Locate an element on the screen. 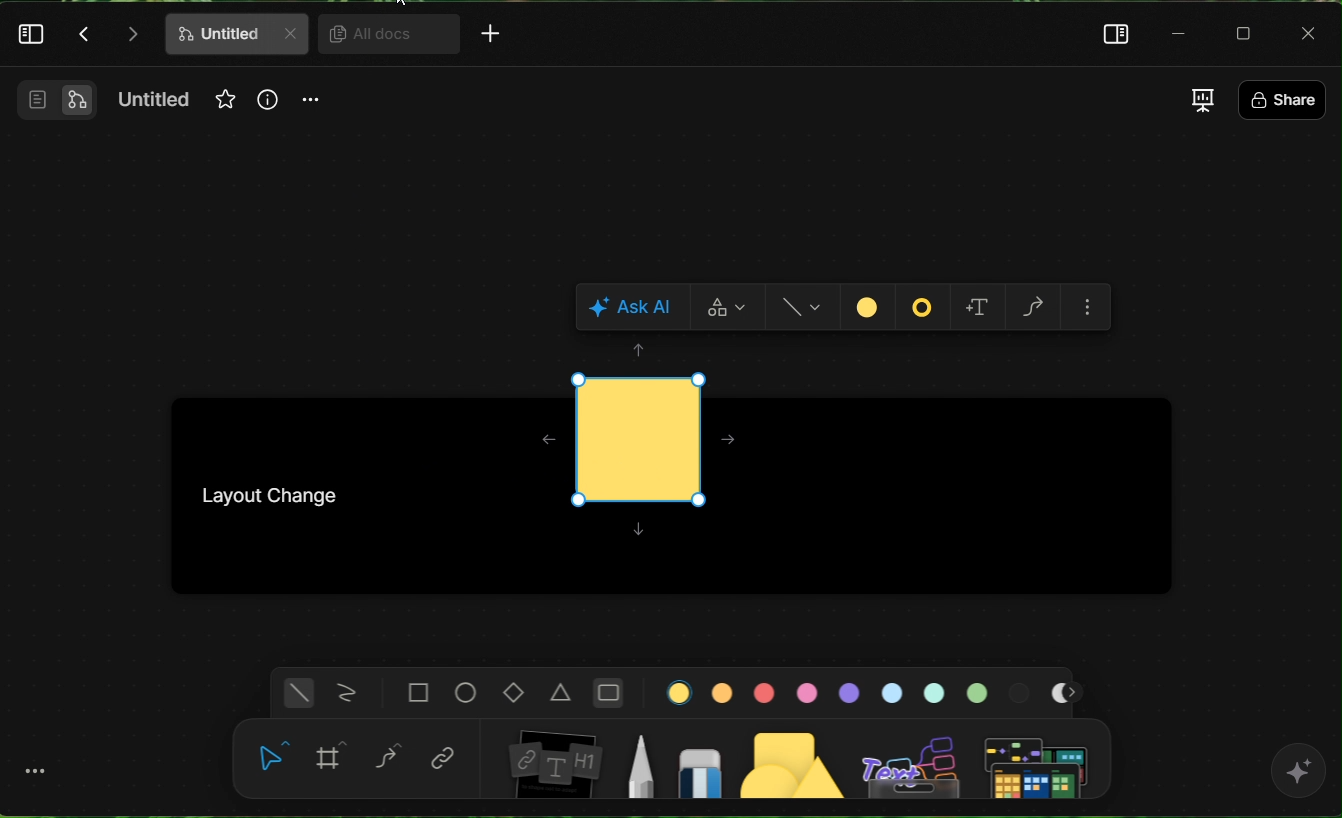 The image size is (1342, 818). Change view is located at coordinates (1201, 100).